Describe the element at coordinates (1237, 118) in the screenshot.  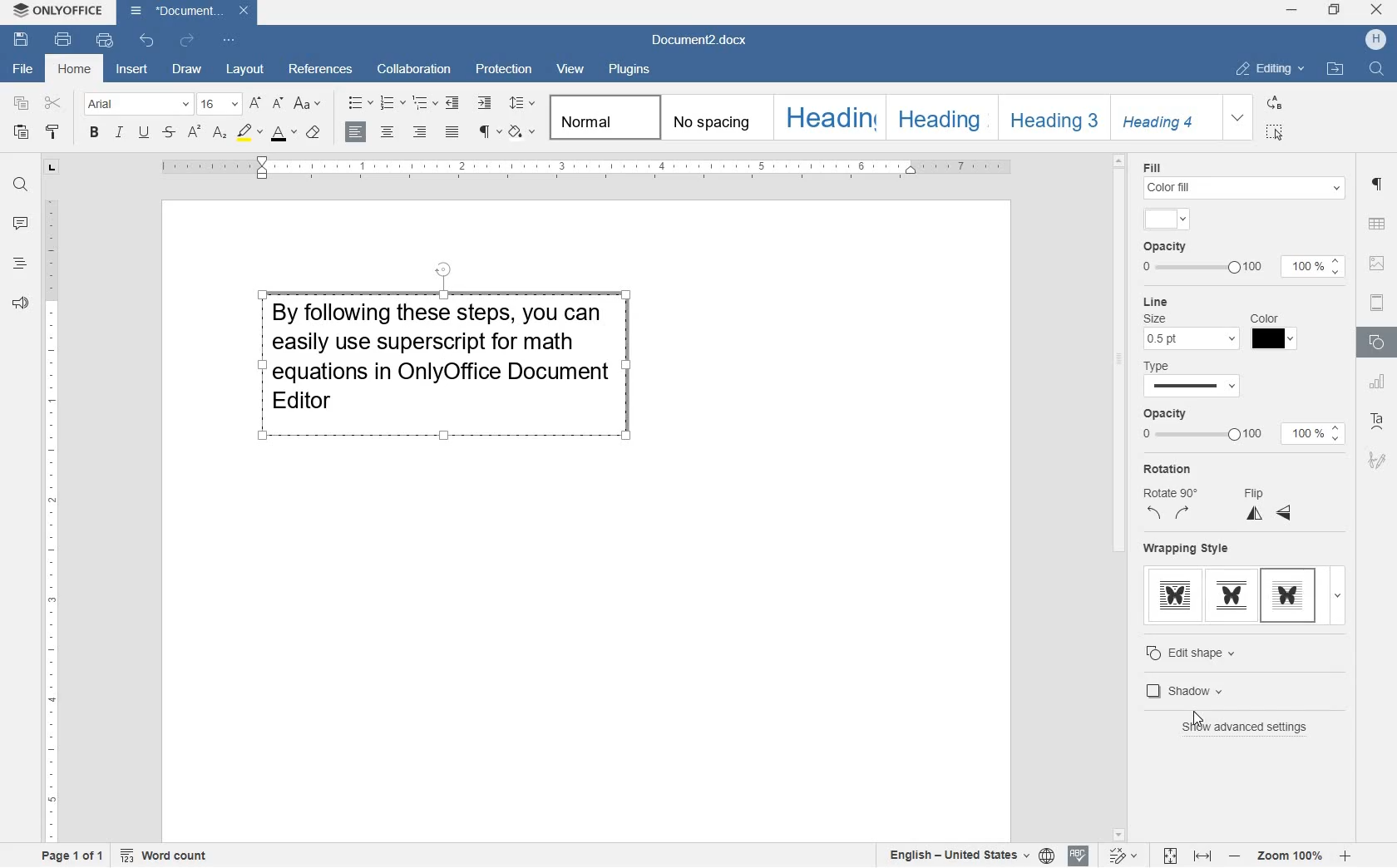
I see `EXPAND FORMATTING STYLE` at that location.